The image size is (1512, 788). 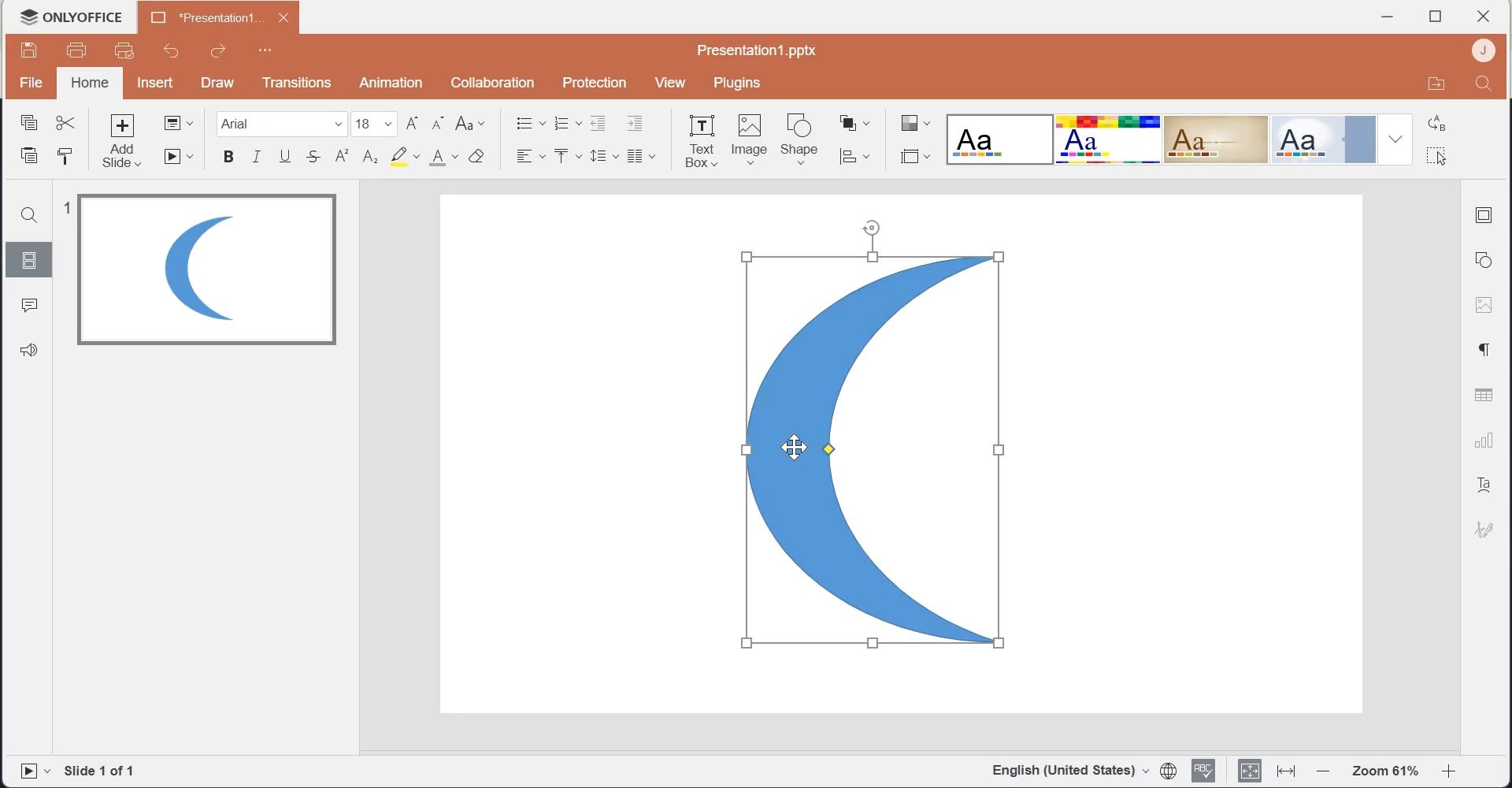 I want to click on Image, so click(x=206, y=271).